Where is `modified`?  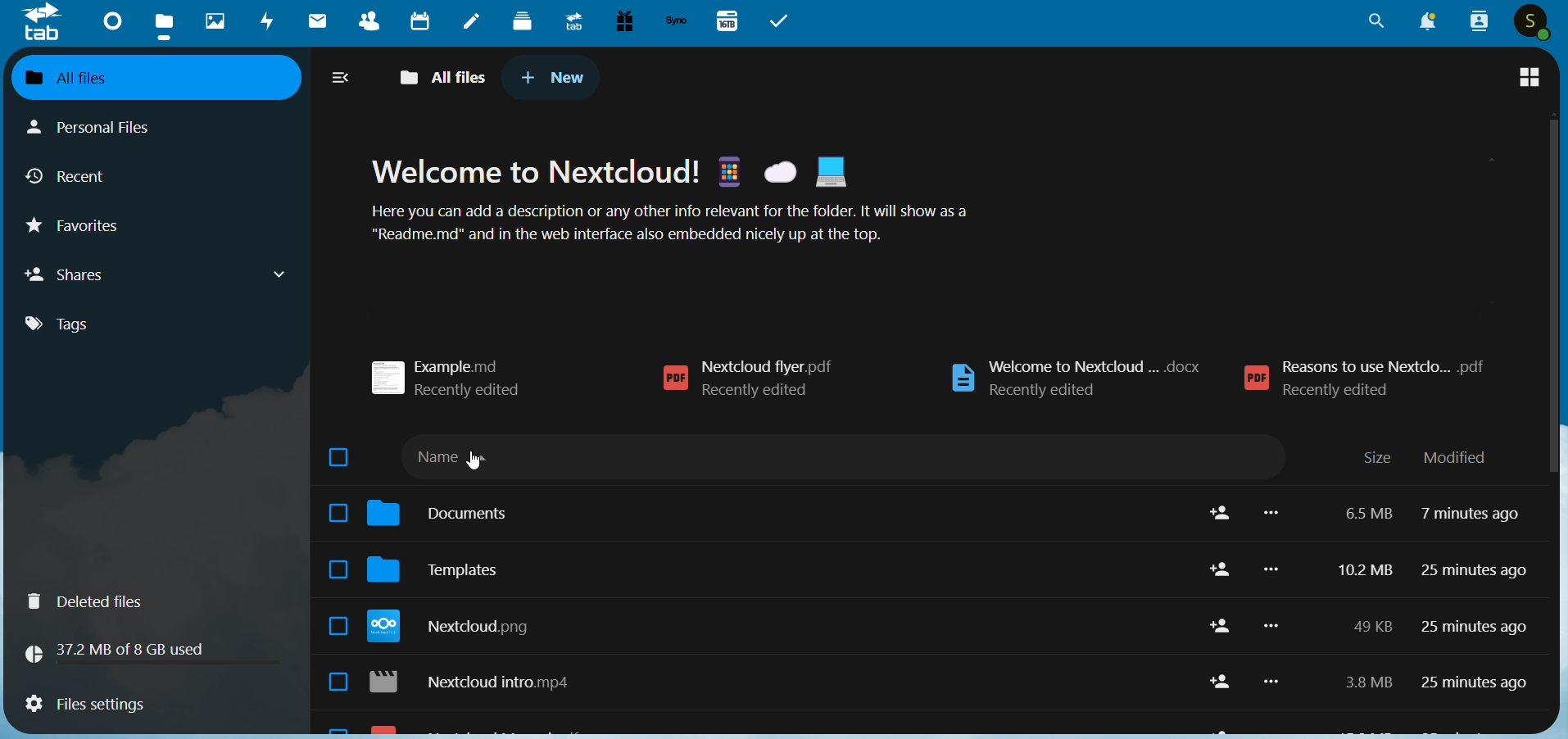
modified is located at coordinates (1463, 457).